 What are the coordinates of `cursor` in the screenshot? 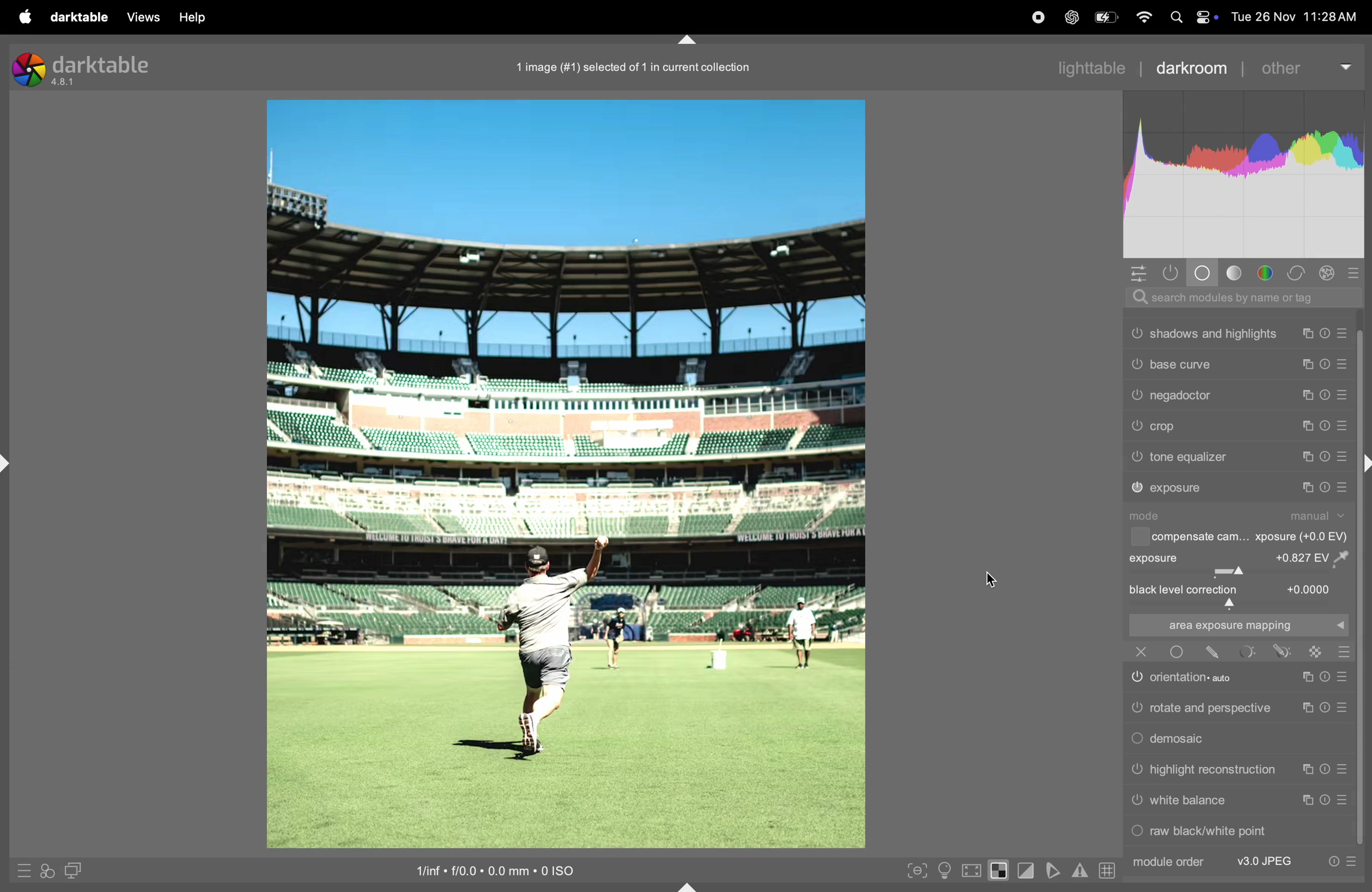 It's located at (991, 580).